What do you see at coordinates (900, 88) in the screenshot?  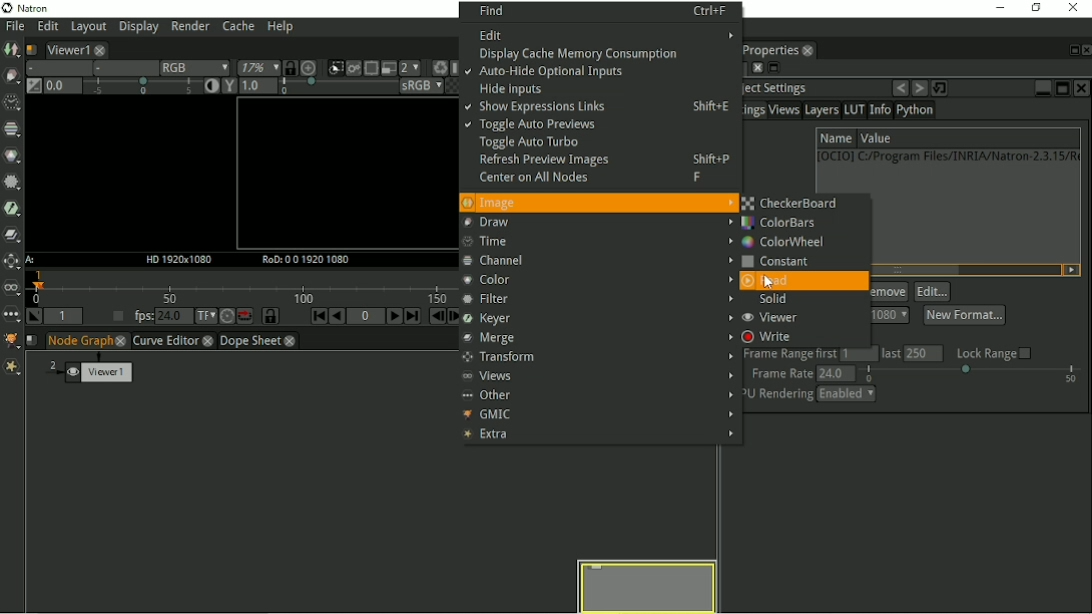 I see `Undo` at bounding box center [900, 88].